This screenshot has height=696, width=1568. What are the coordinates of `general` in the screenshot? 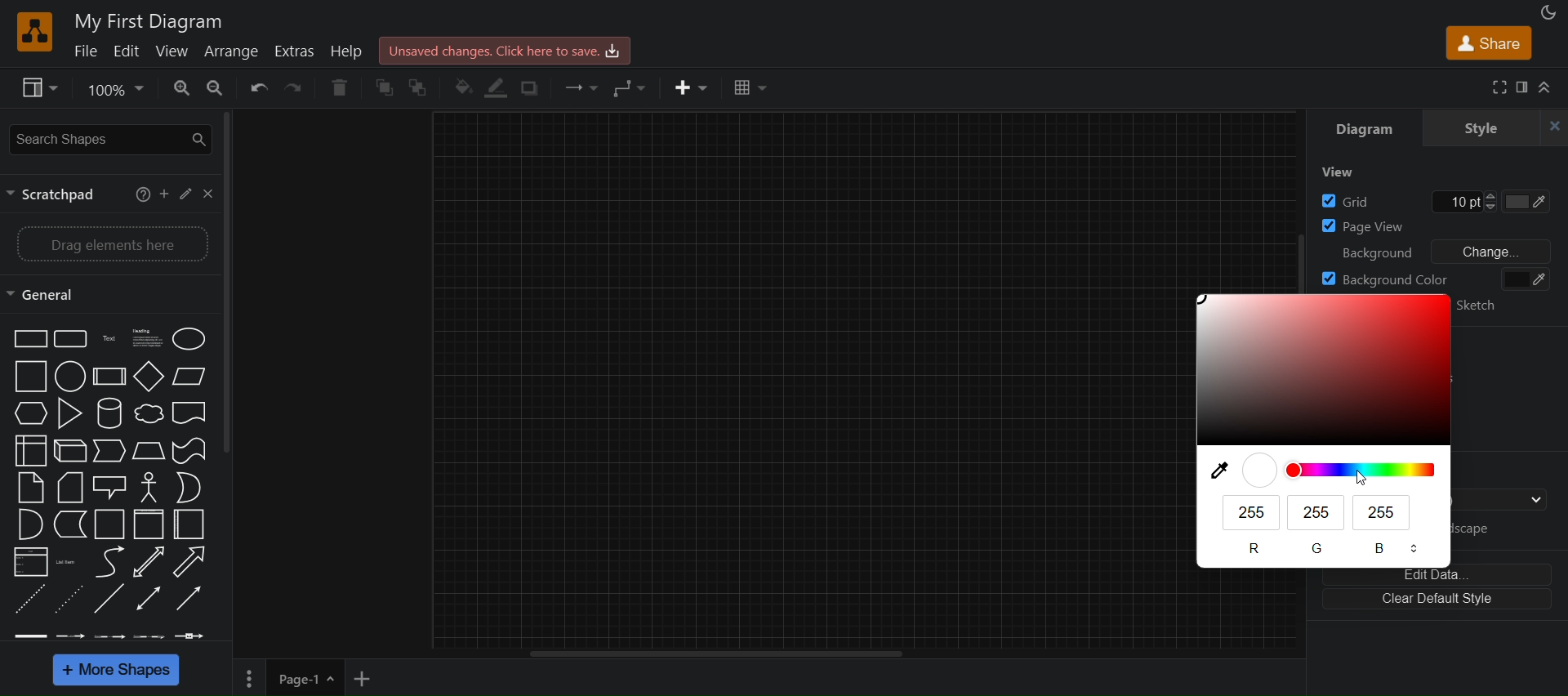 It's located at (47, 294).